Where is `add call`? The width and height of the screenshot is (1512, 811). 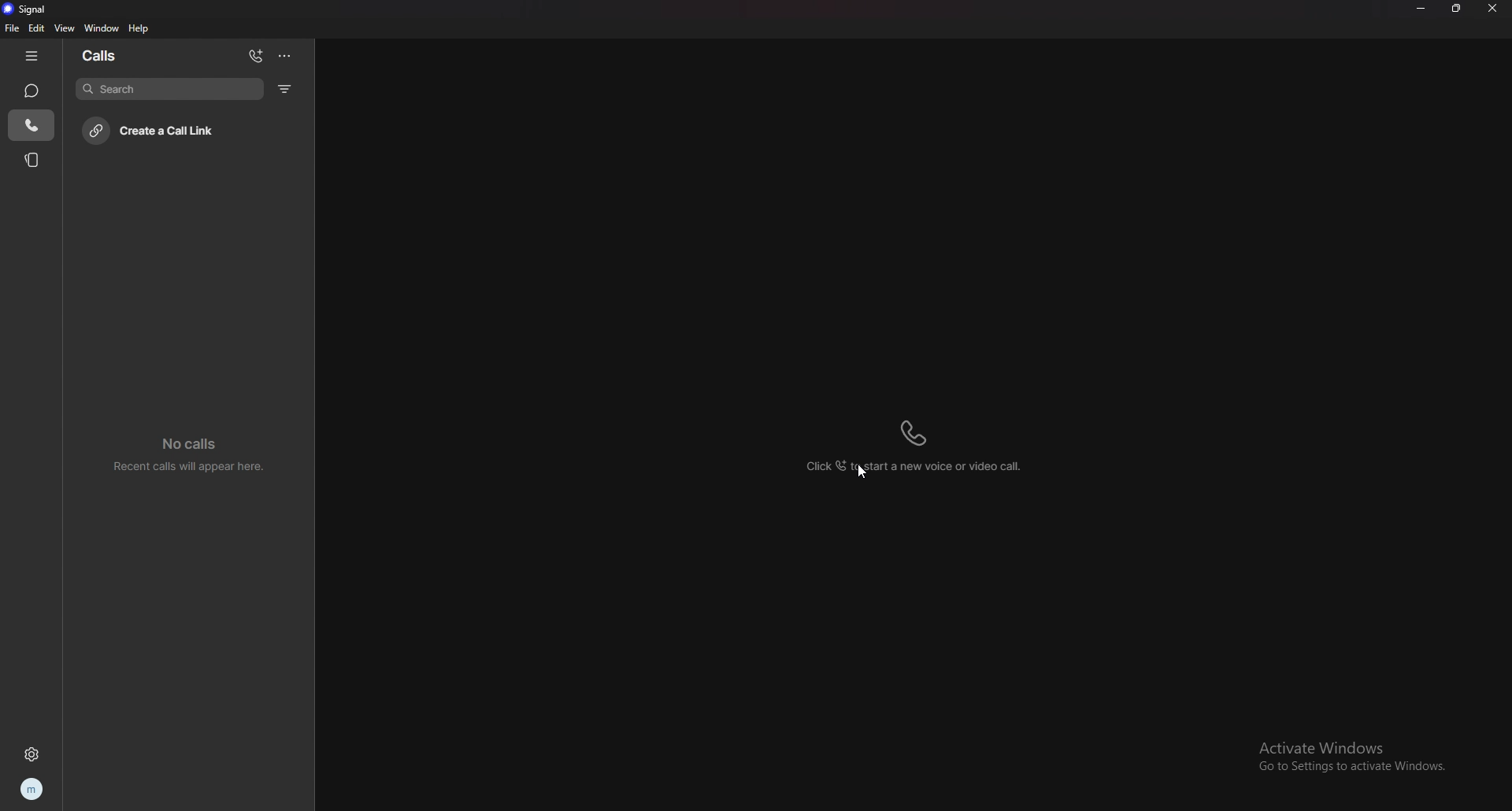
add call is located at coordinates (258, 54).